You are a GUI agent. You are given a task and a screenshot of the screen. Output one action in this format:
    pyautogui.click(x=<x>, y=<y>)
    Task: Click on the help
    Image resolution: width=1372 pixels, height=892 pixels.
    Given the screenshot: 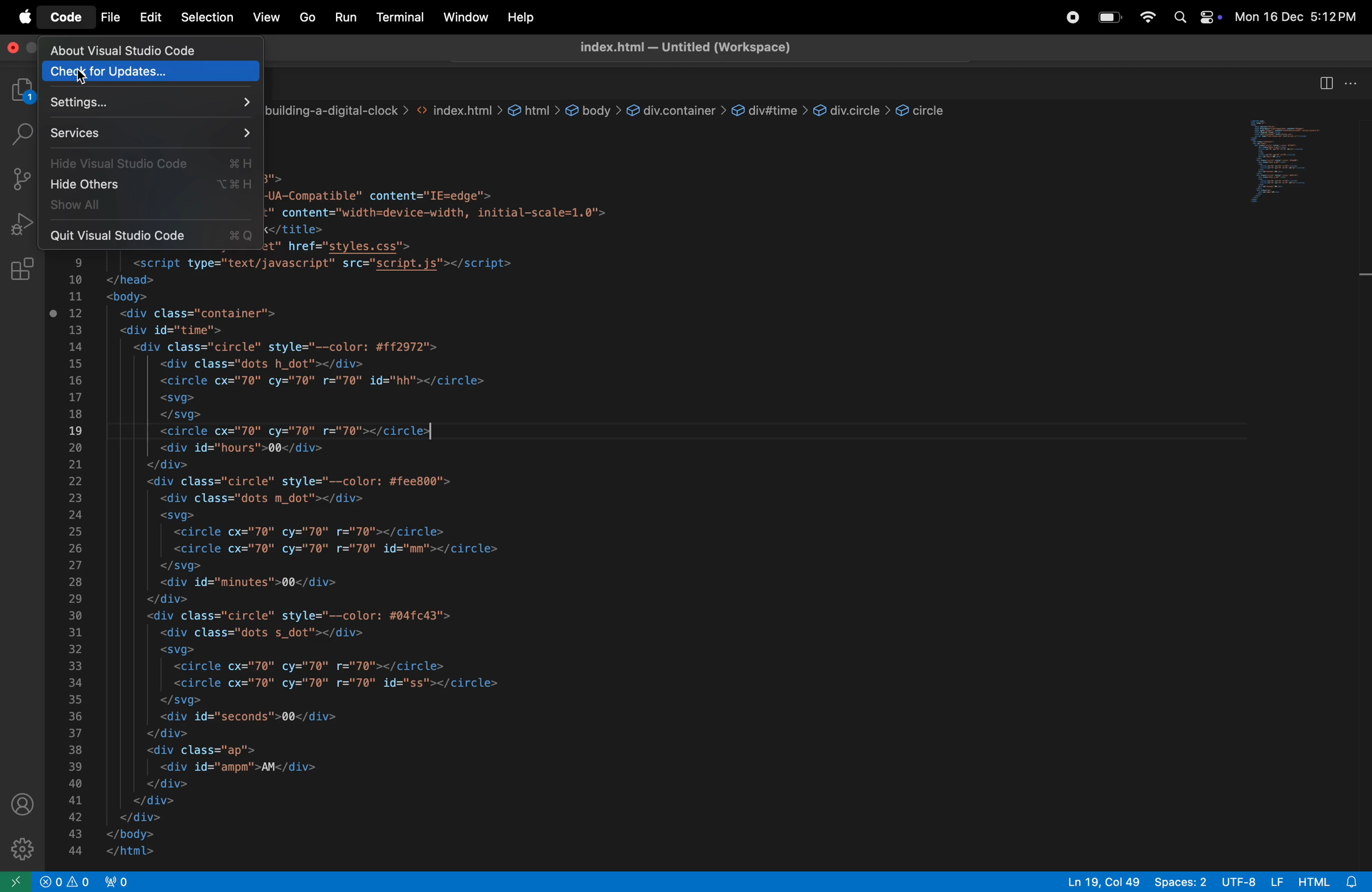 What is the action you would take?
    pyautogui.click(x=521, y=16)
    